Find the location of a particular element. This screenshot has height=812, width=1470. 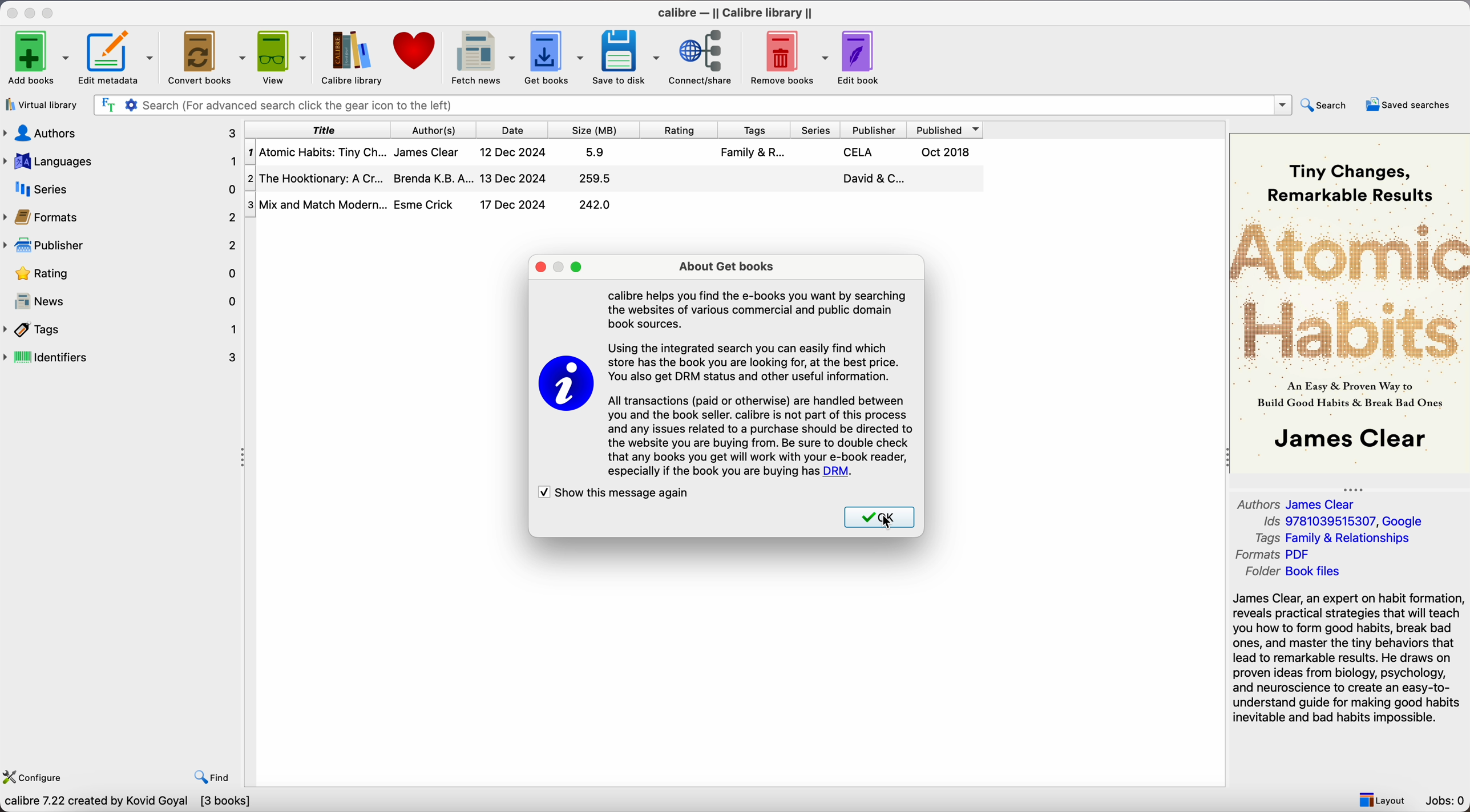

size is located at coordinates (599, 130).